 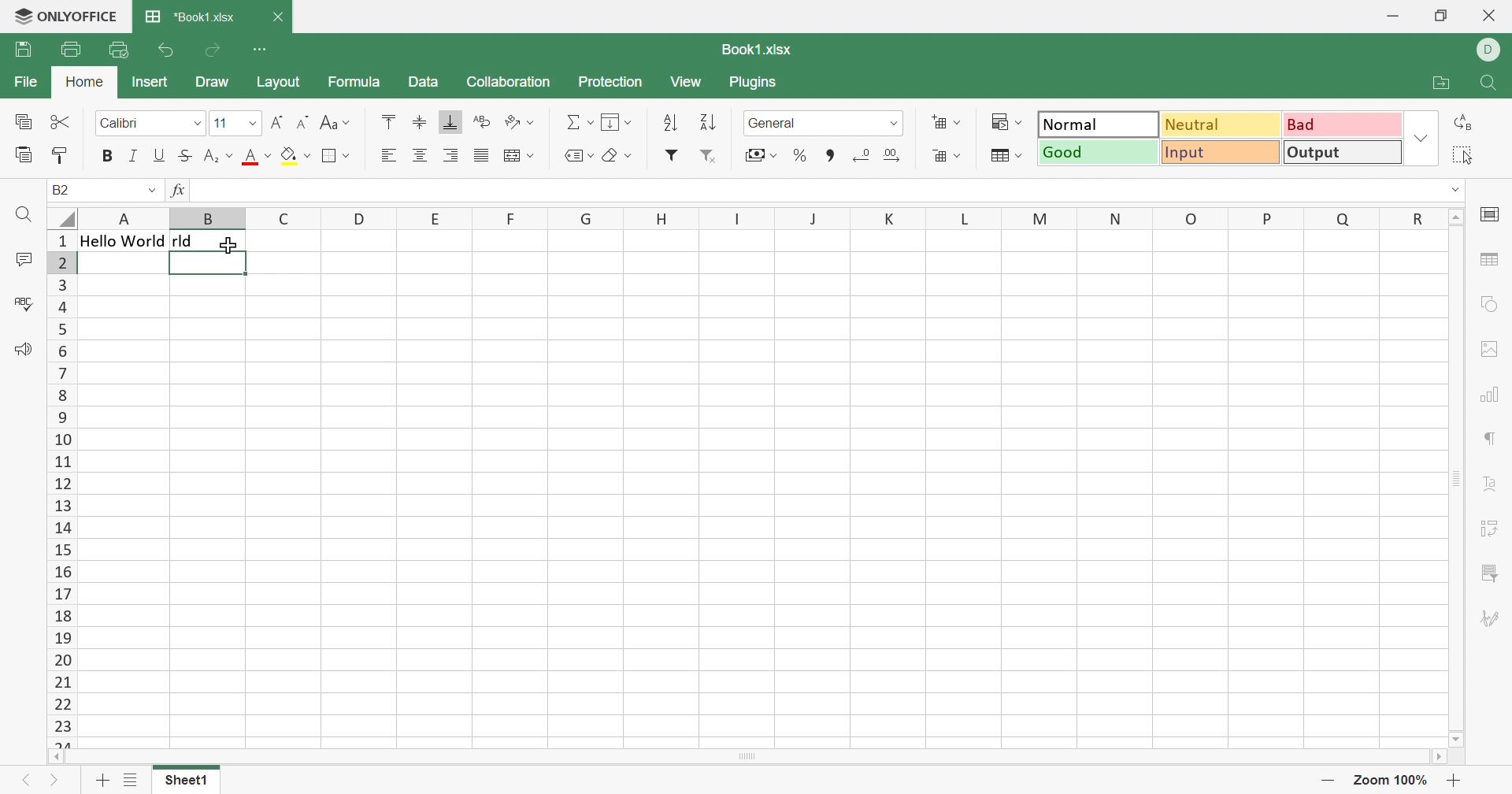 I want to click on Print file, so click(x=73, y=49).